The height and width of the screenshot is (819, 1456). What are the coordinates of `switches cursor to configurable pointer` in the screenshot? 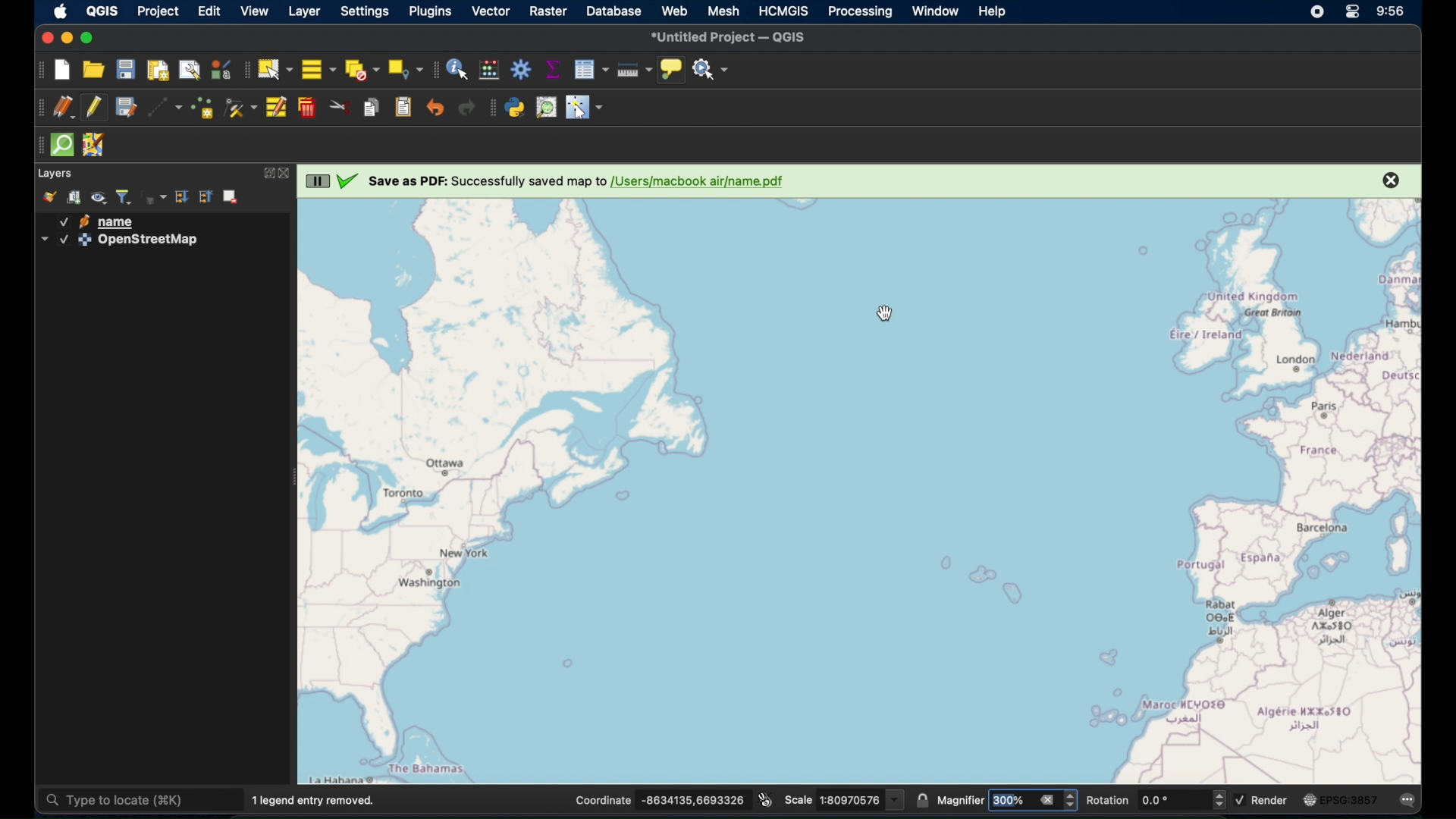 It's located at (586, 109).